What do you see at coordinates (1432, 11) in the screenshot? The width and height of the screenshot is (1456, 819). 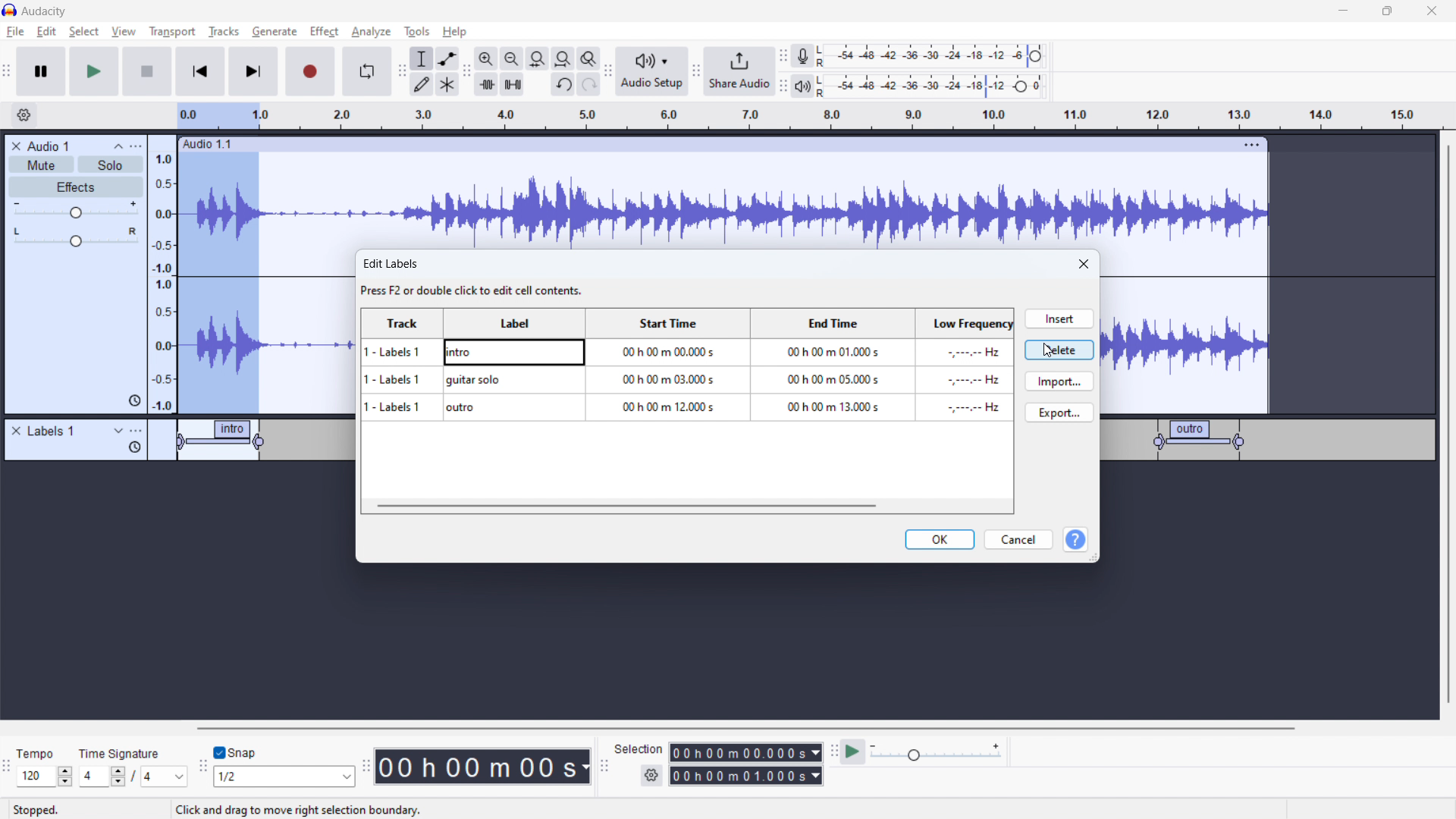 I see `close` at bounding box center [1432, 11].